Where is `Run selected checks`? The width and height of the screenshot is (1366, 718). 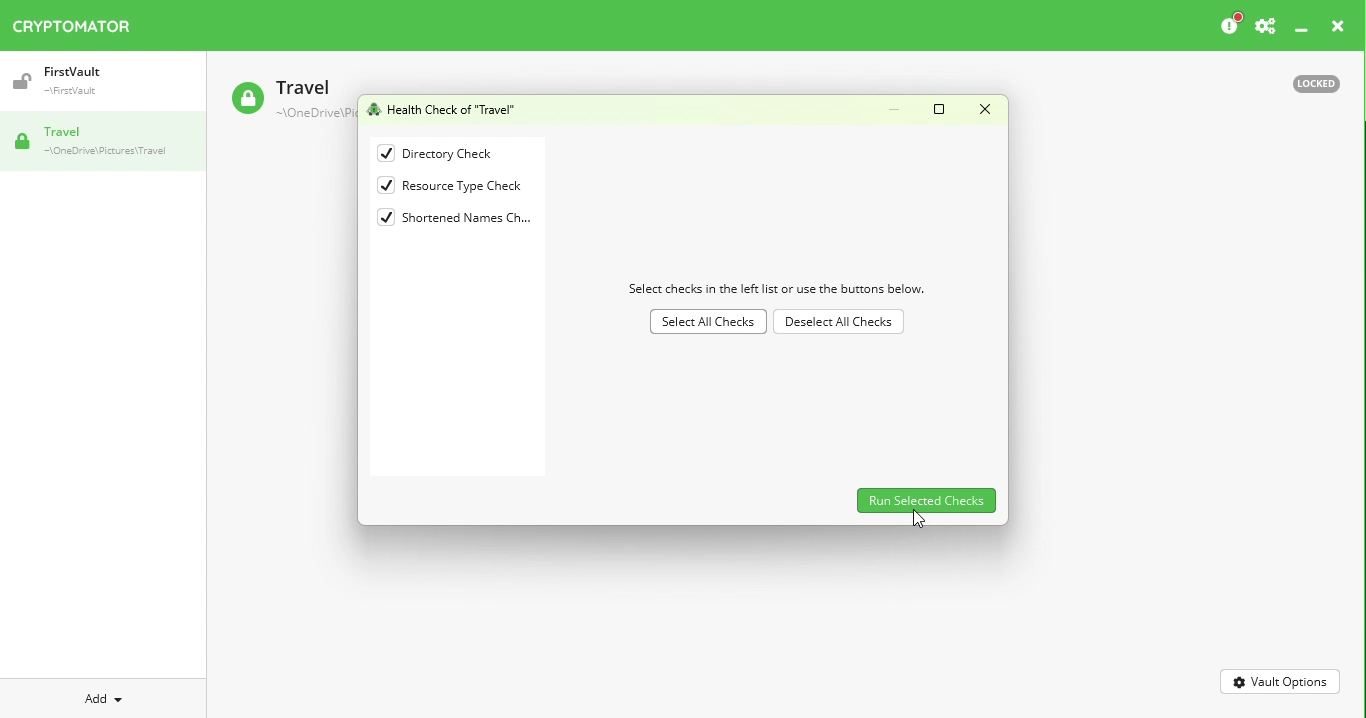 Run selected checks is located at coordinates (926, 501).